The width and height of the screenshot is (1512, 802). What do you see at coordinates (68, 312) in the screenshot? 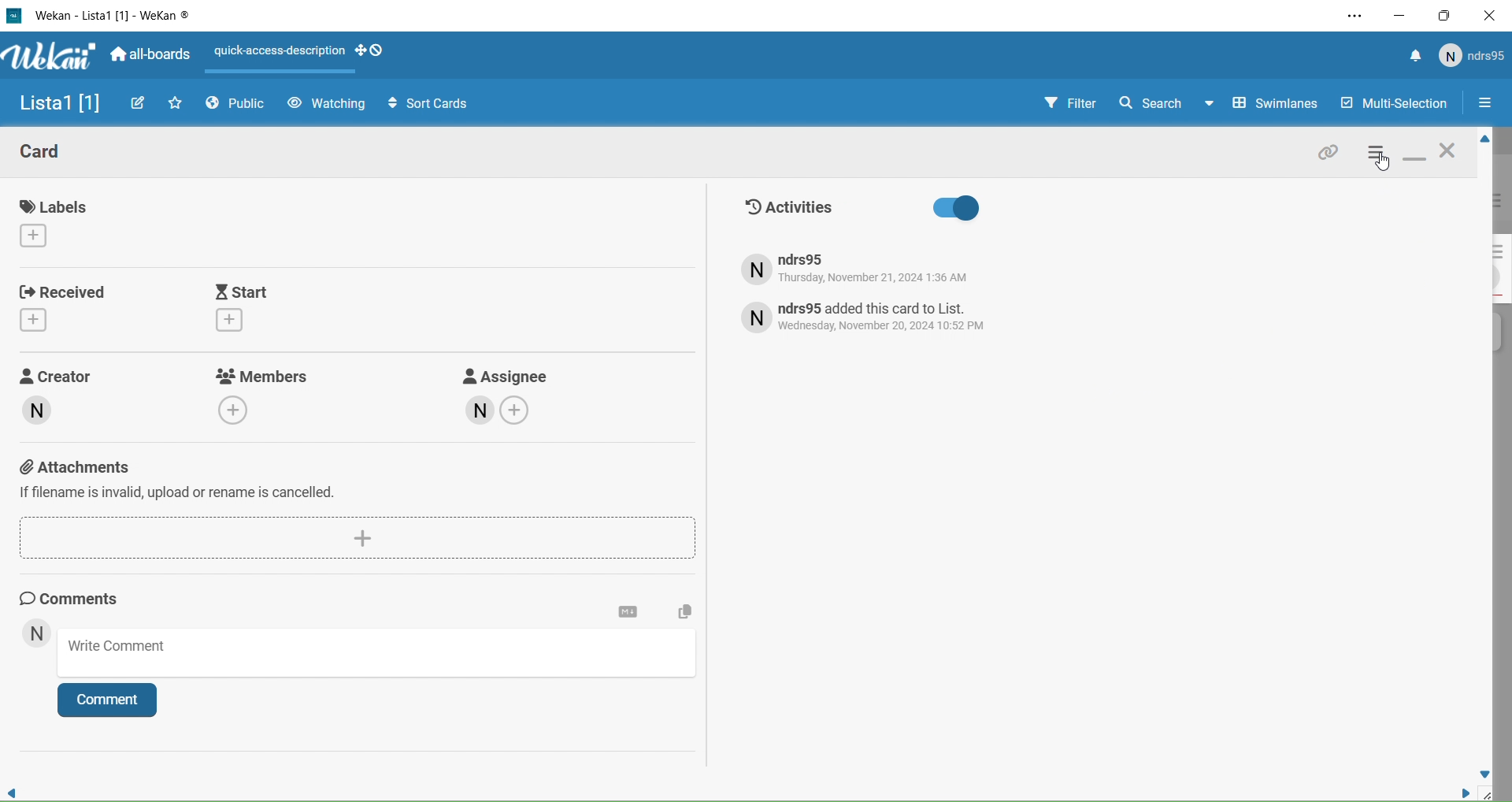
I see `Received` at bounding box center [68, 312].